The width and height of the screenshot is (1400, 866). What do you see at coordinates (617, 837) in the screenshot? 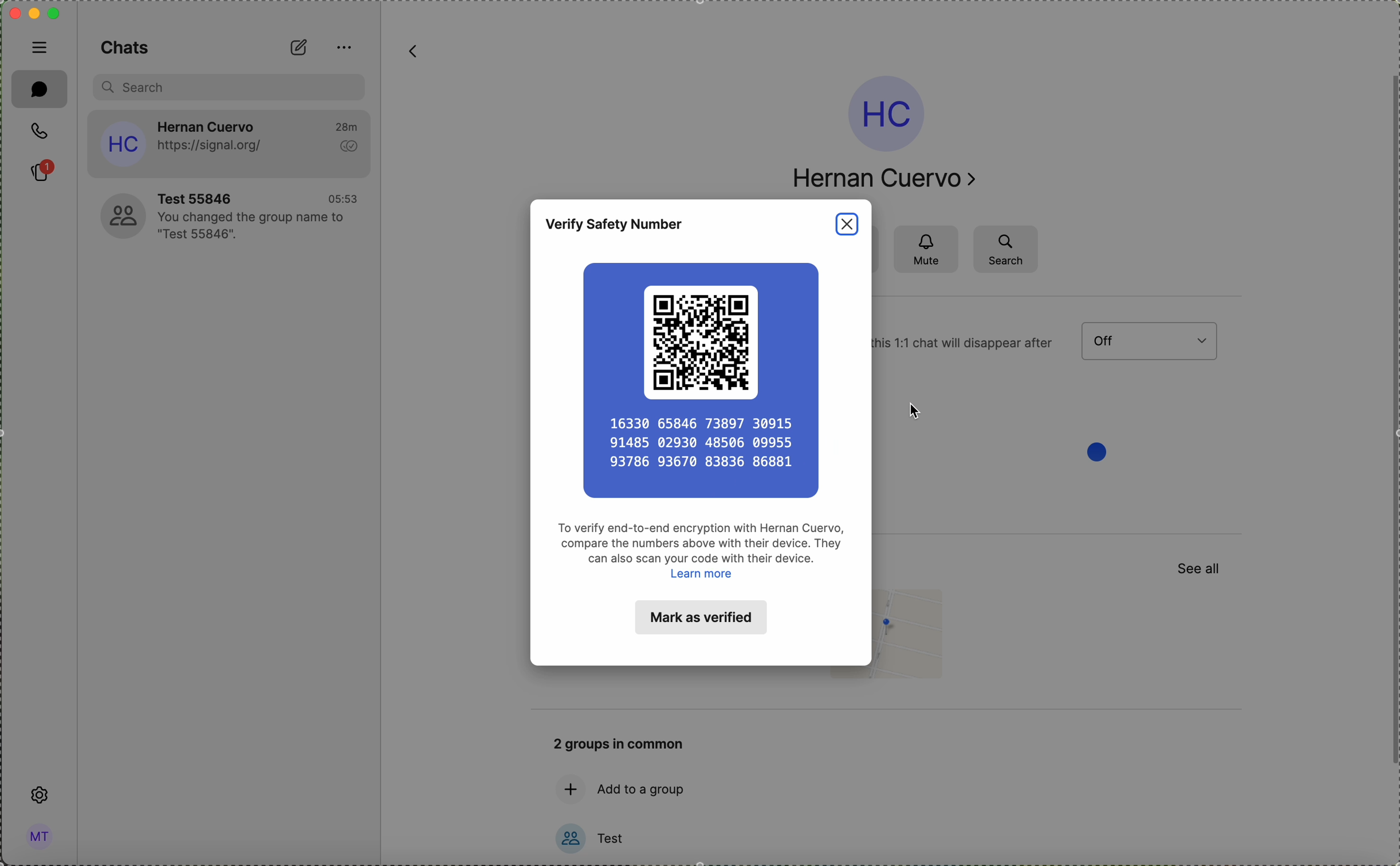
I see `test` at bounding box center [617, 837].